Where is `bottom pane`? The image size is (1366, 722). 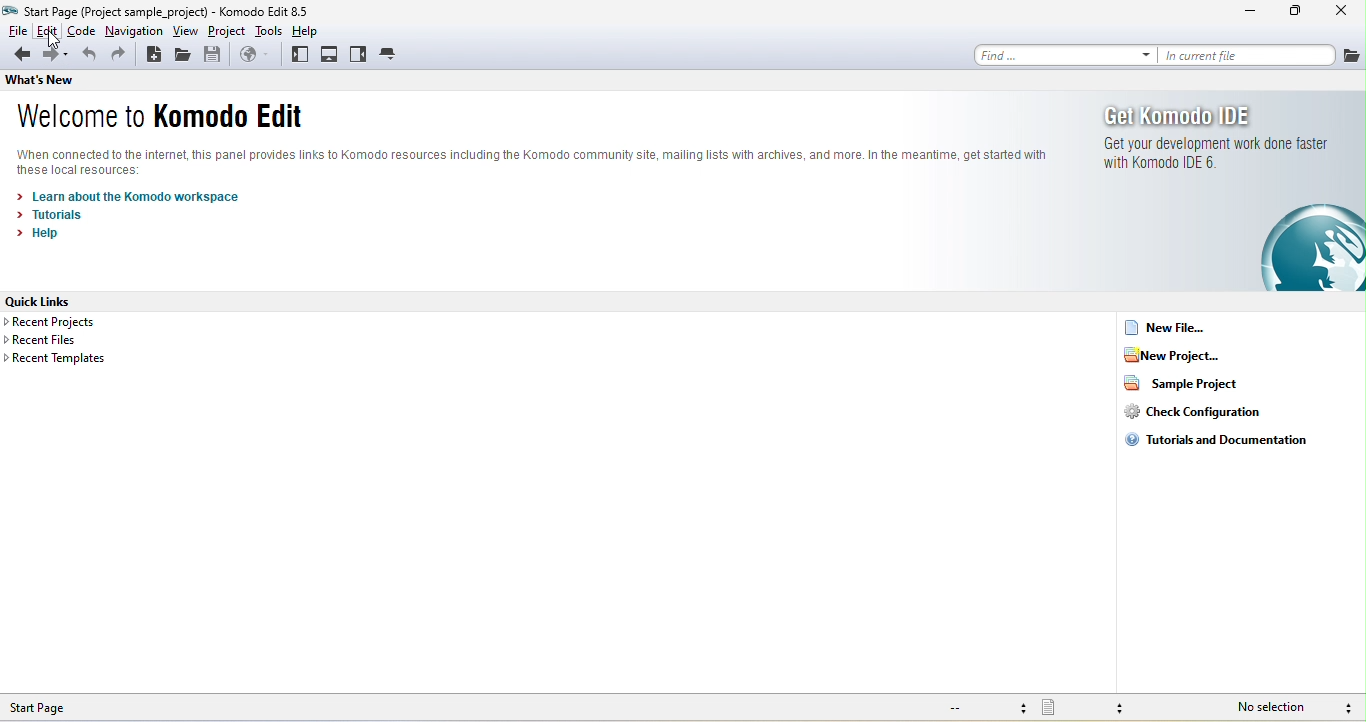
bottom pane is located at coordinates (330, 55).